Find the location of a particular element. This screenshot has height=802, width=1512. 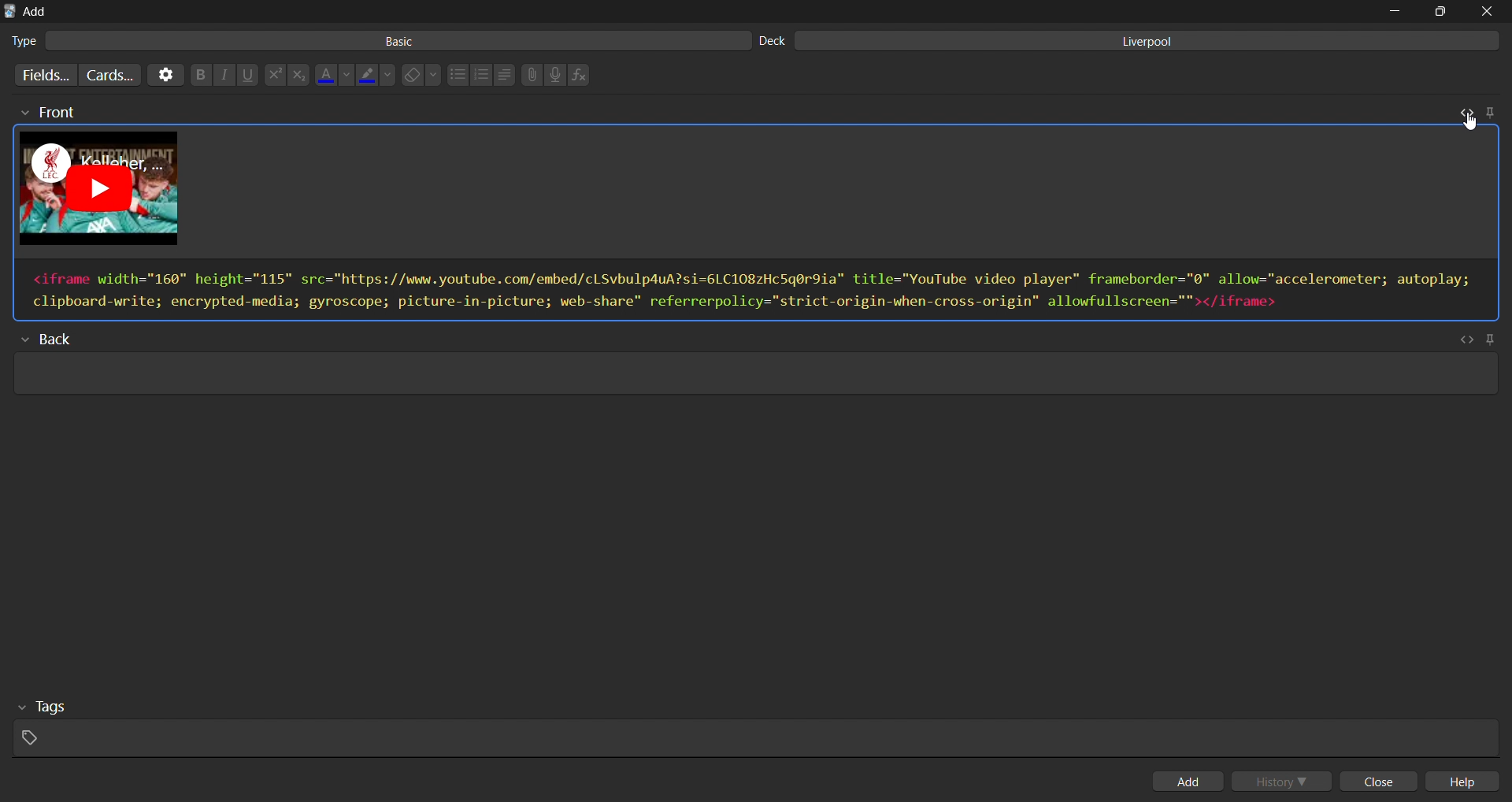

pin is located at coordinates (1493, 337).